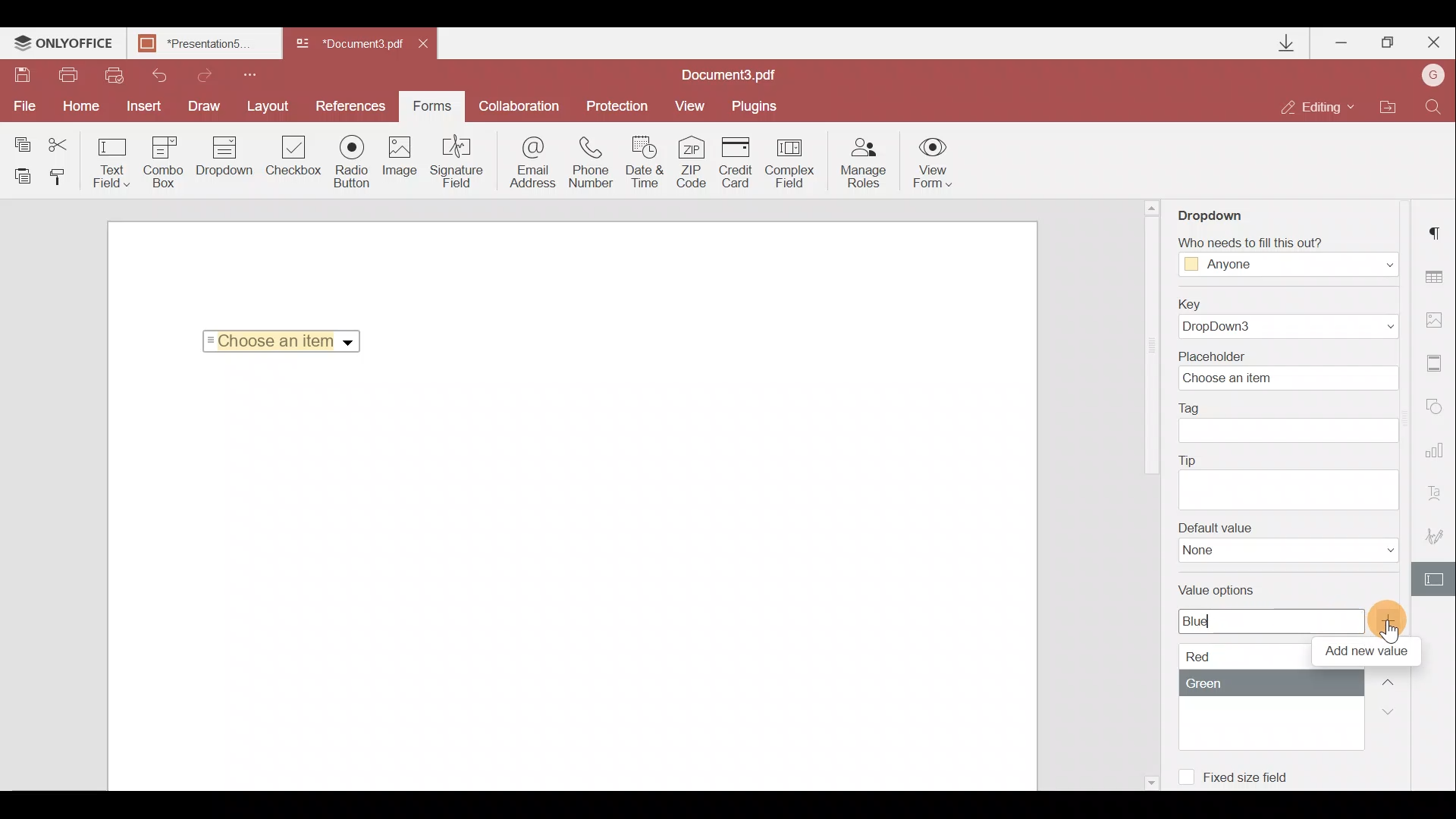 Image resolution: width=1456 pixels, height=819 pixels. What do you see at coordinates (459, 165) in the screenshot?
I see `Signature field` at bounding box center [459, 165].